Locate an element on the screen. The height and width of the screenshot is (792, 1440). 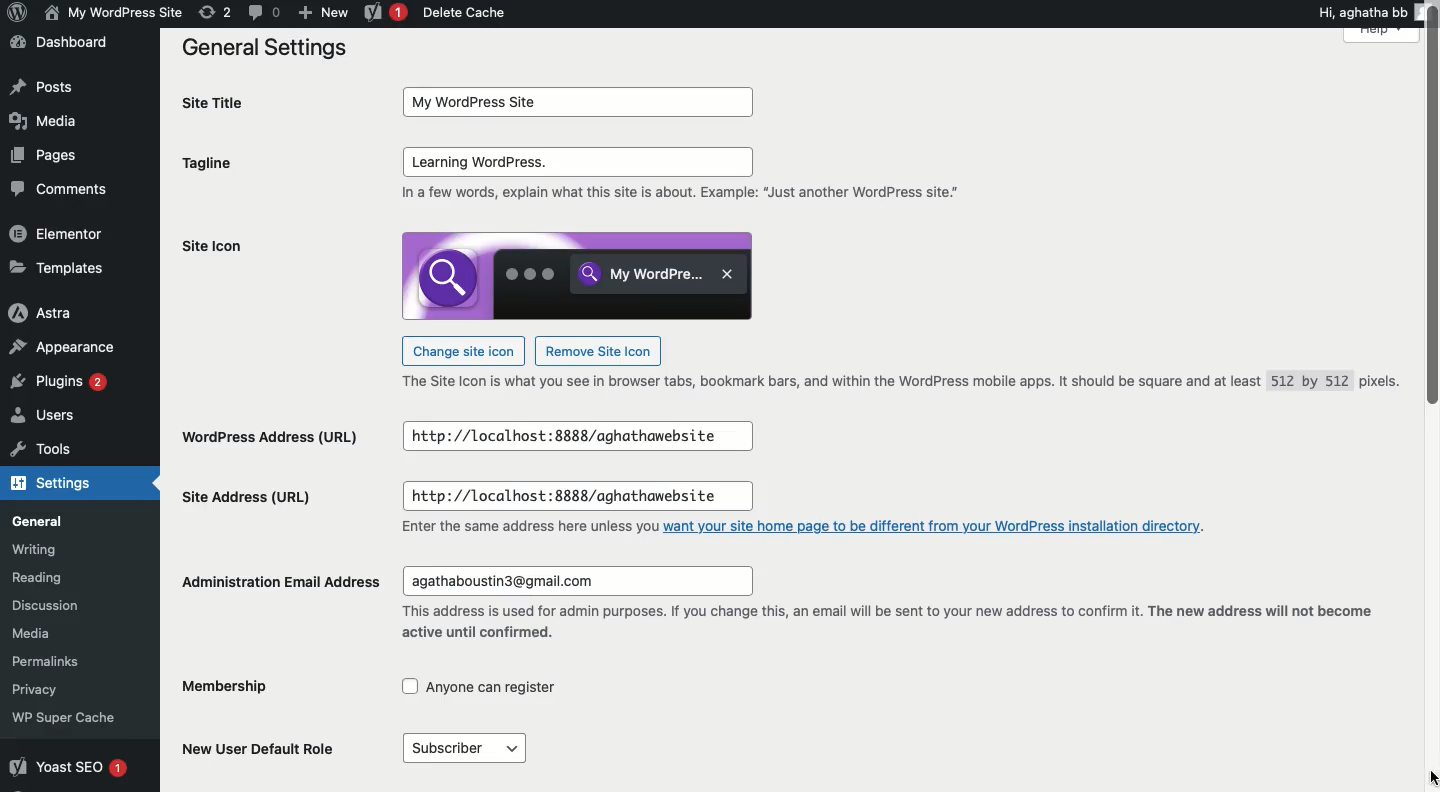
Membership is located at coordinates (228, 686).